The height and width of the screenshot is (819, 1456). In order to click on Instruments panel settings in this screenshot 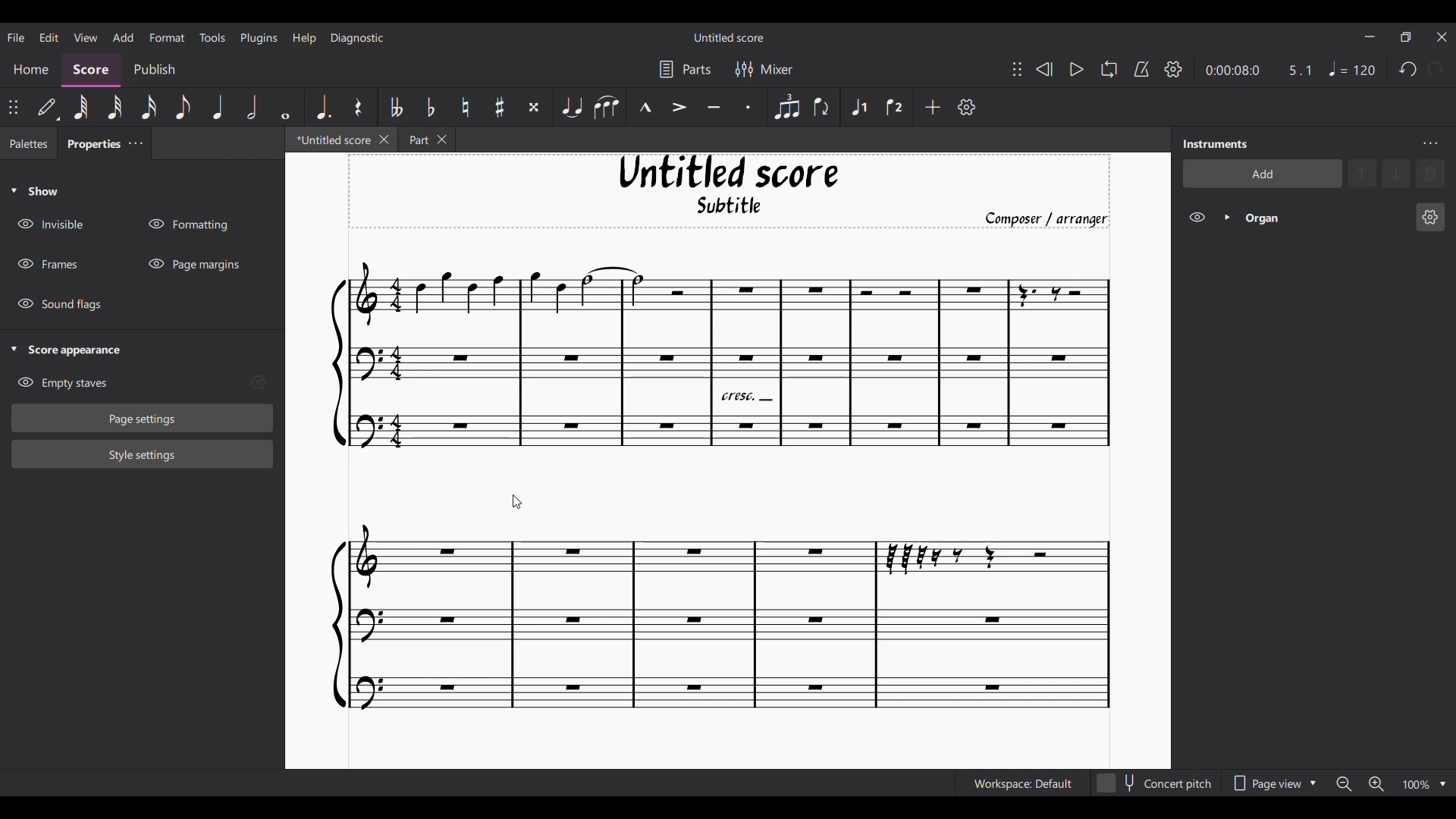, I will do `click(1430, 143)`.